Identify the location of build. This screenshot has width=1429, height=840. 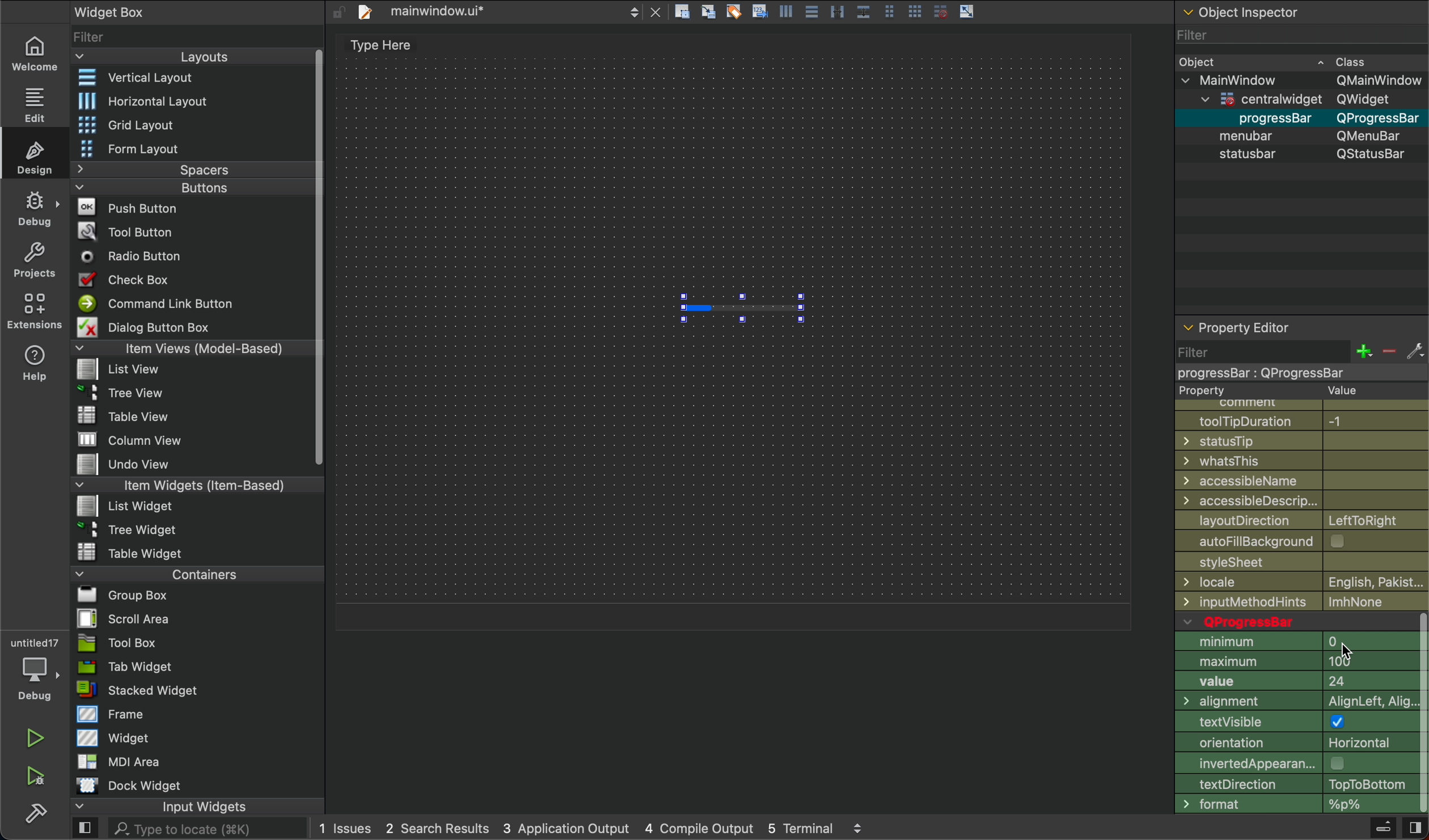
(36, 811).